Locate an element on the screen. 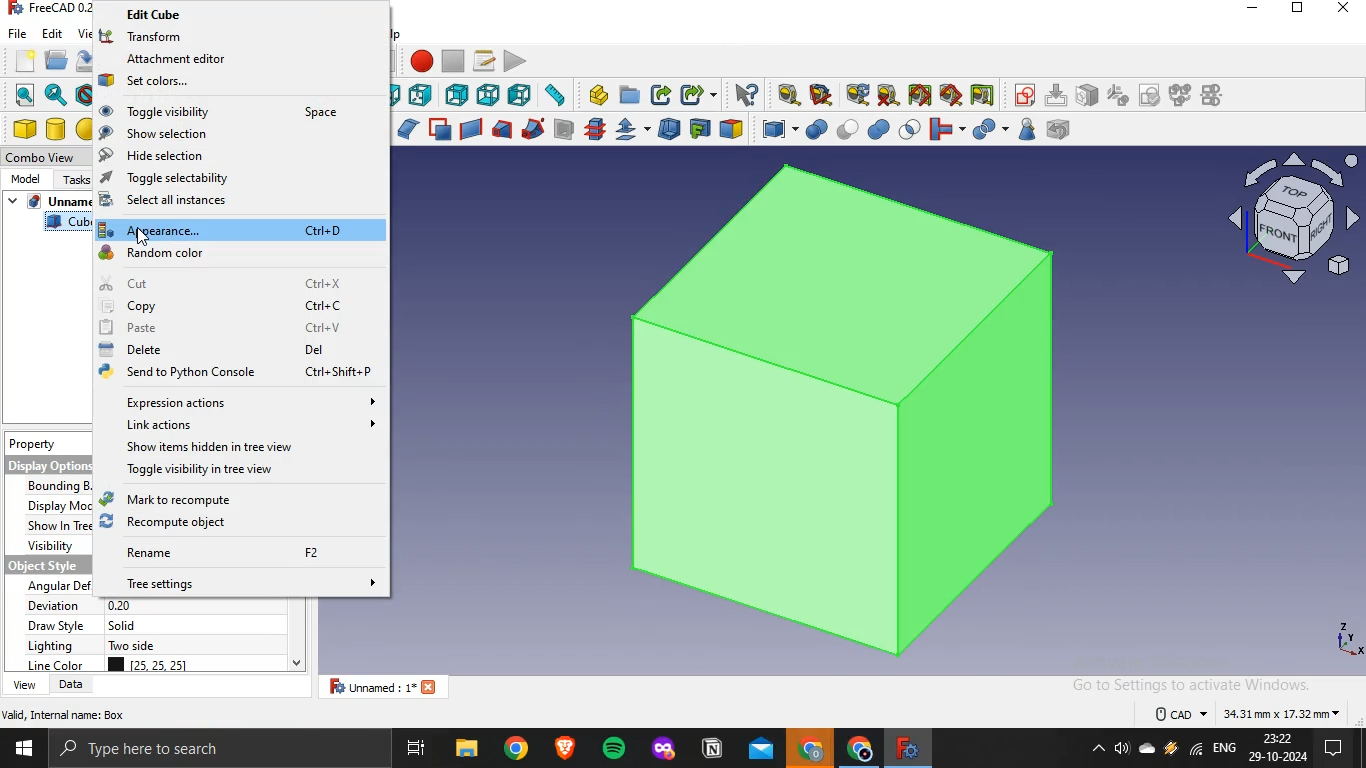 This screenshot has height=768, width=1366. cylinder is located at coordinates (57, 129).